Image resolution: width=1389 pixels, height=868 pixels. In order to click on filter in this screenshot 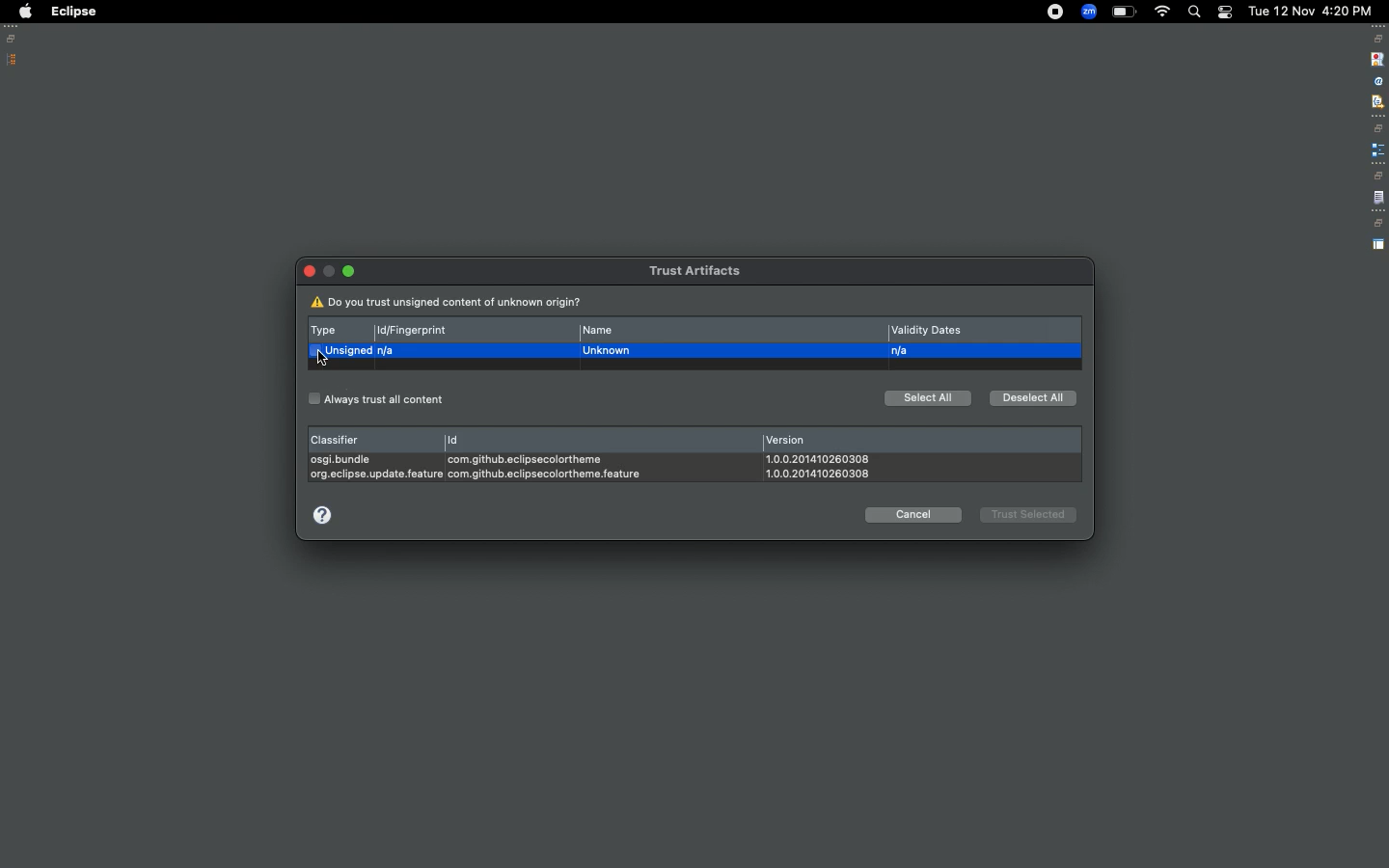, I will do `click(1376, 101)`.